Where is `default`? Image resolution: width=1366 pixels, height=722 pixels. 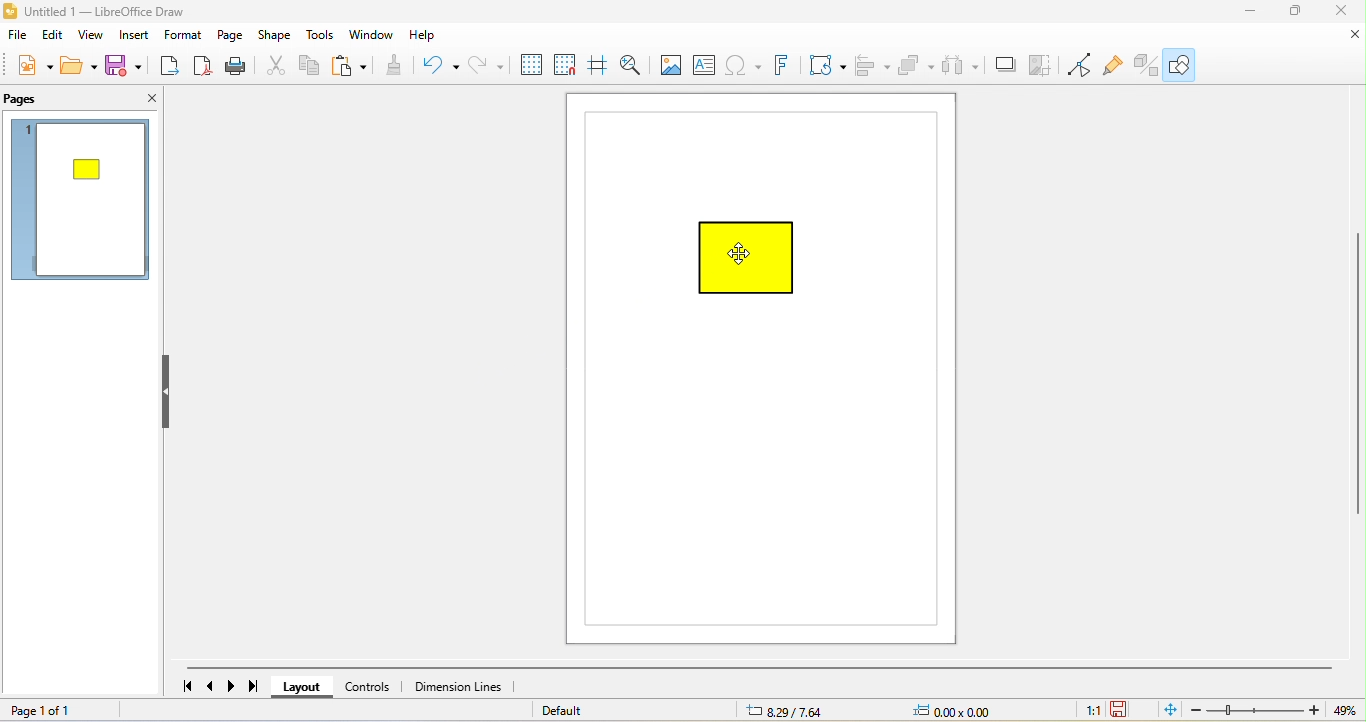 default is located at coordinates (583, 711).